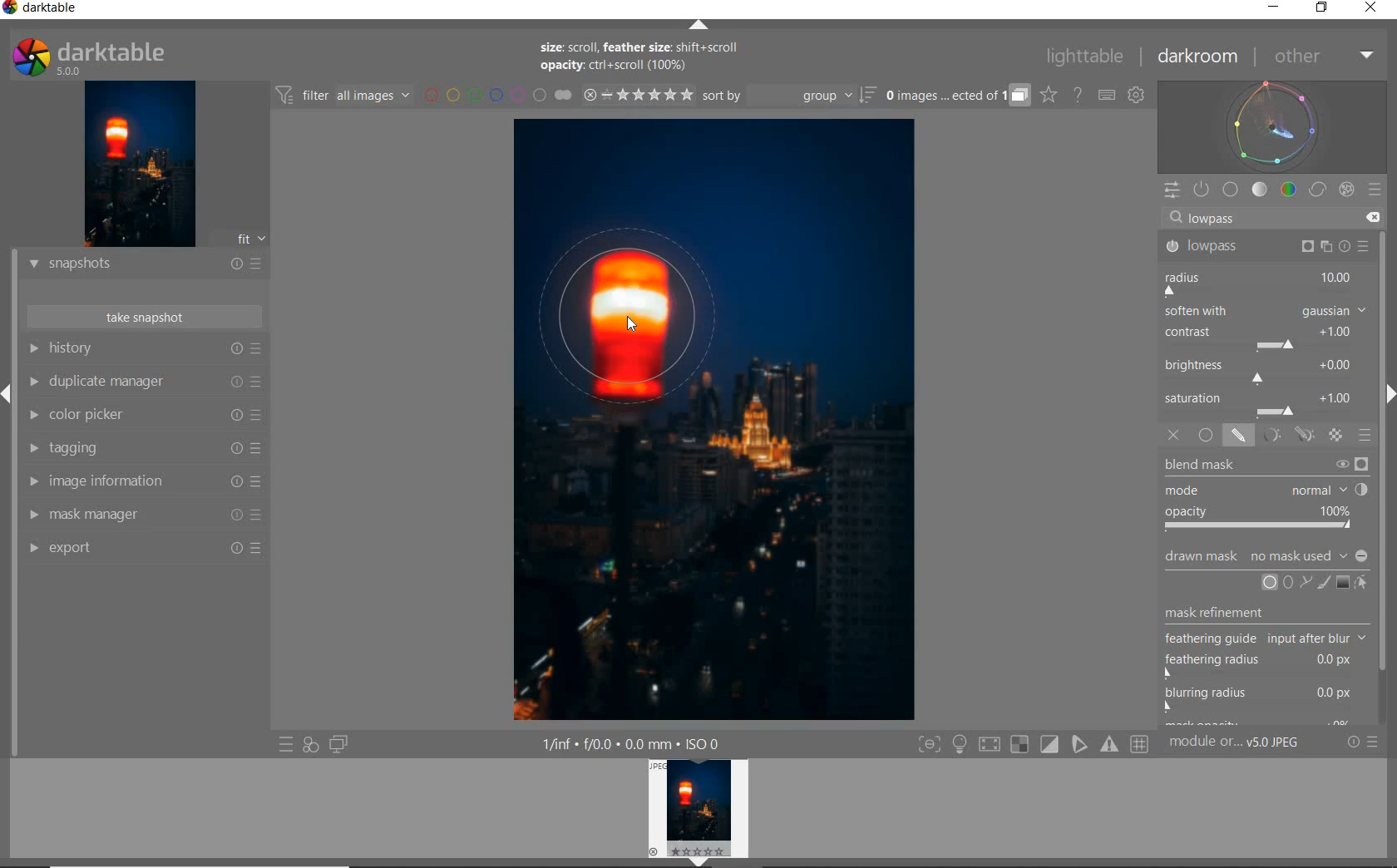 This screenshot has width=1397, height=868. What do you see at coordinates (1376, 191) in the screenshot?
I see `PRESETS` at bounding box center [1376, 191].